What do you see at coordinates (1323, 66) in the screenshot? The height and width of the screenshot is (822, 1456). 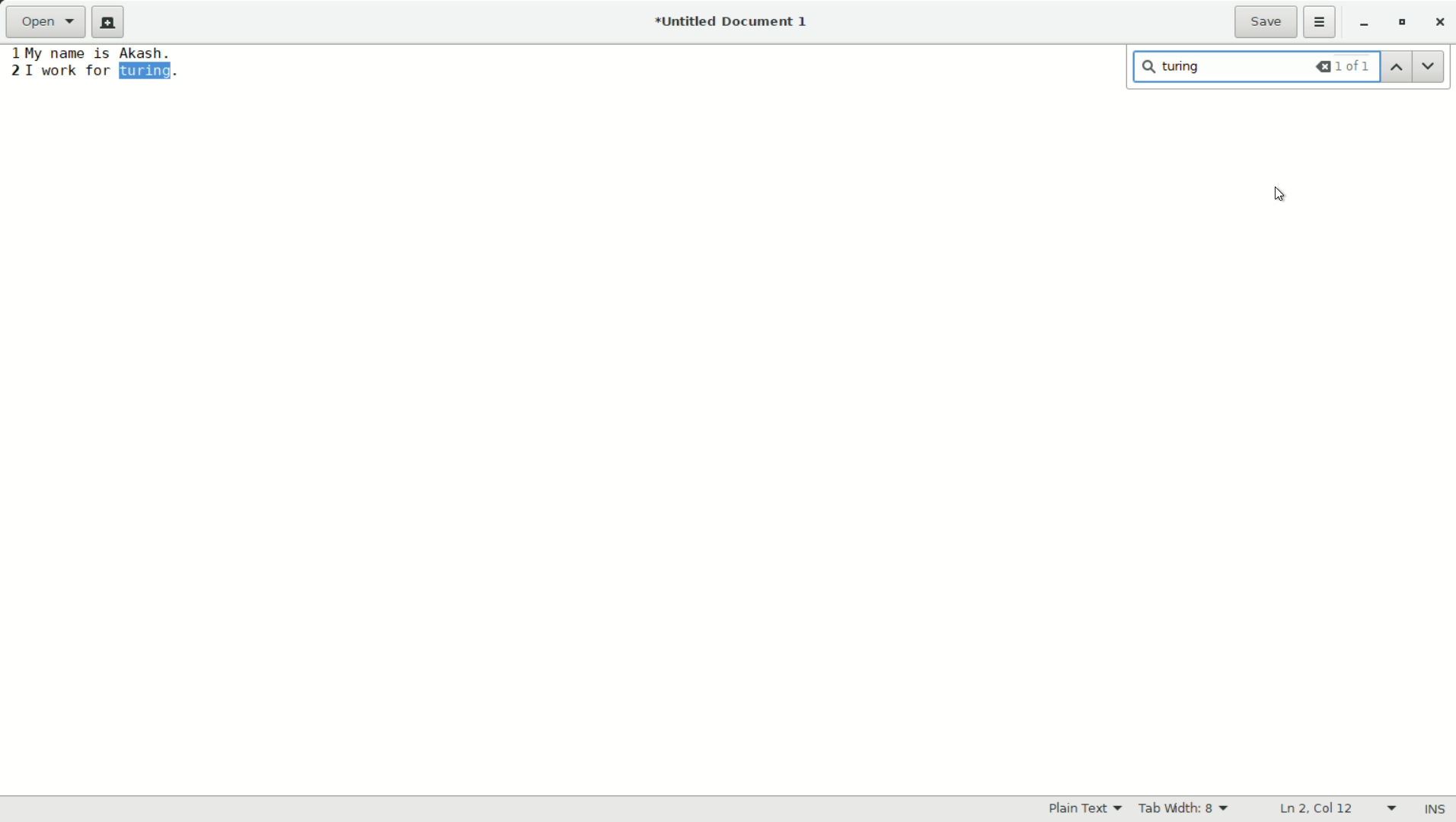 I see `backspace all` at bounding box center [1323, 66].